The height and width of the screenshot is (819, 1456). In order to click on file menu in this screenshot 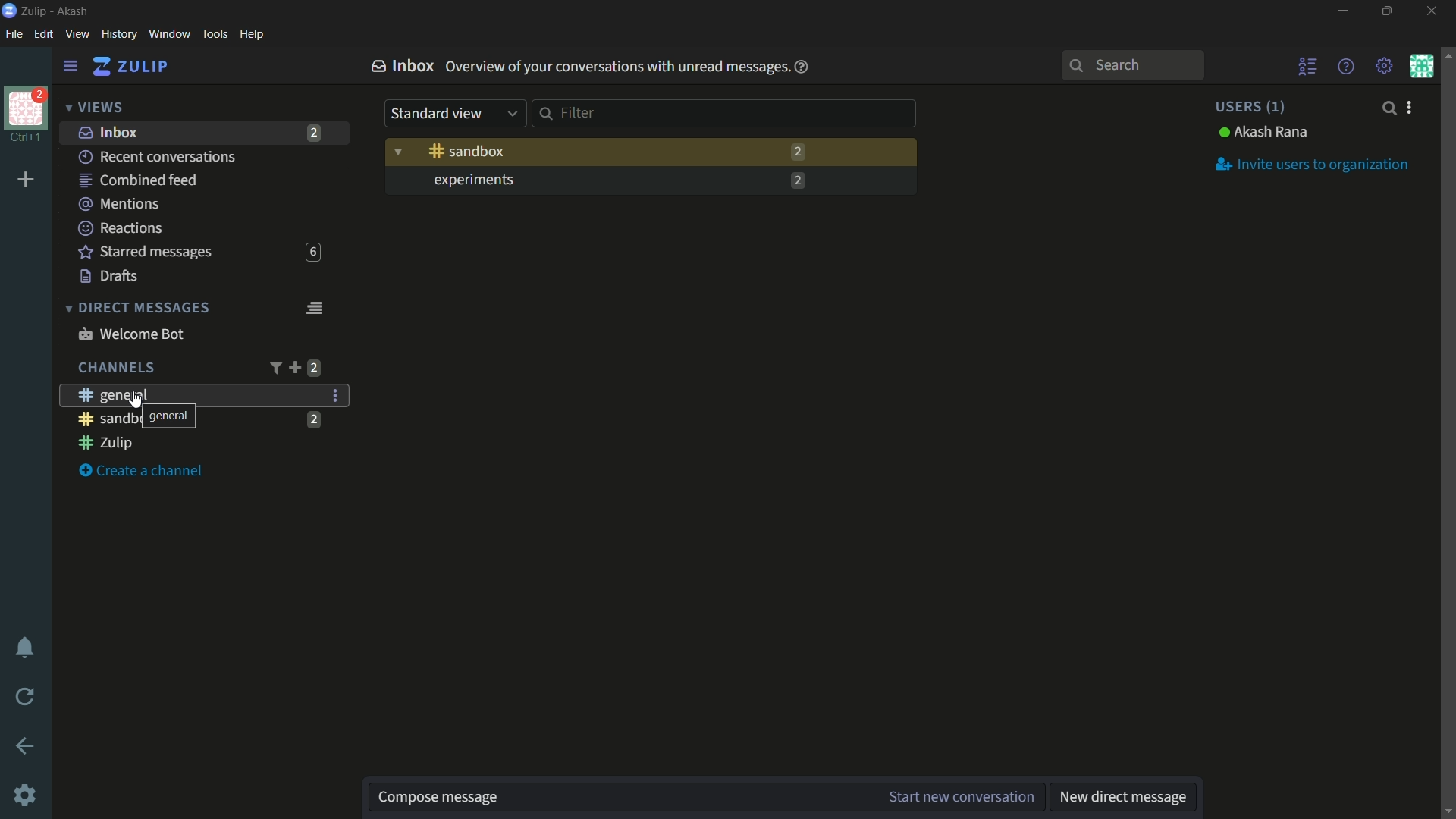, I will do `click(14, 35)`.